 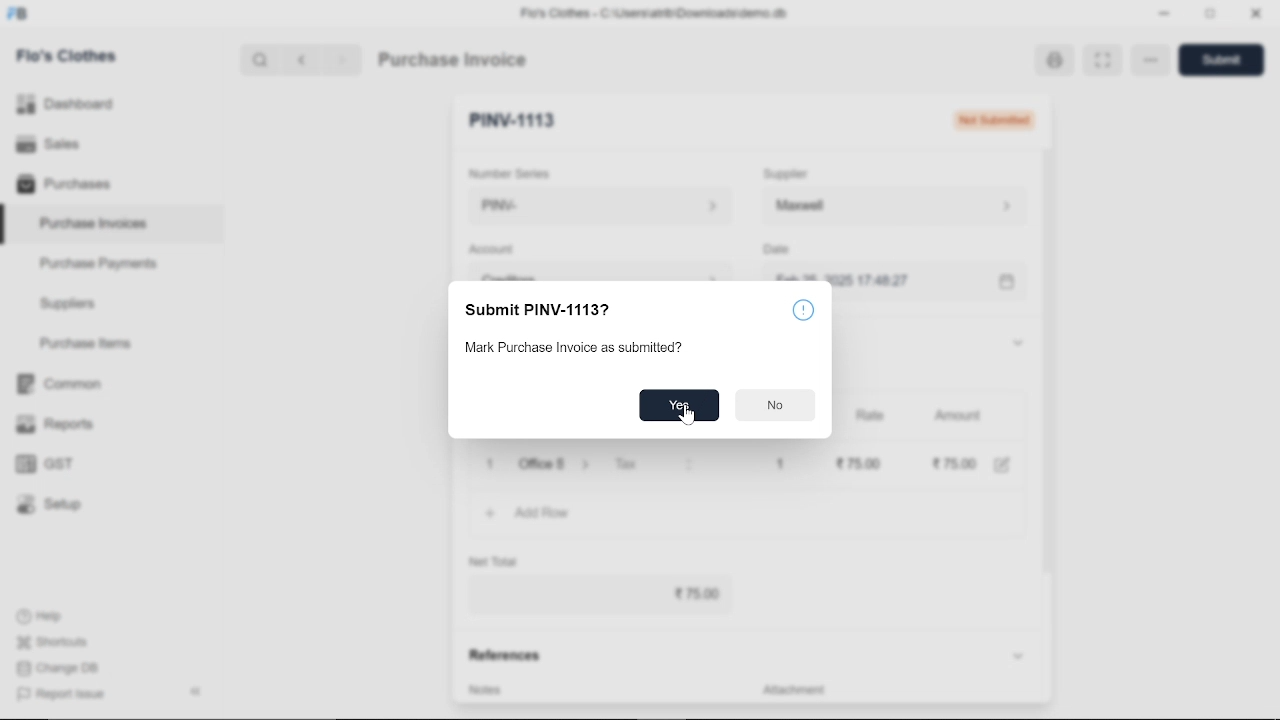 What do you see at coordinates (538, 311) in the screenshot?
I see `Submit PINV-1113?` at bounding box center [538, 311].